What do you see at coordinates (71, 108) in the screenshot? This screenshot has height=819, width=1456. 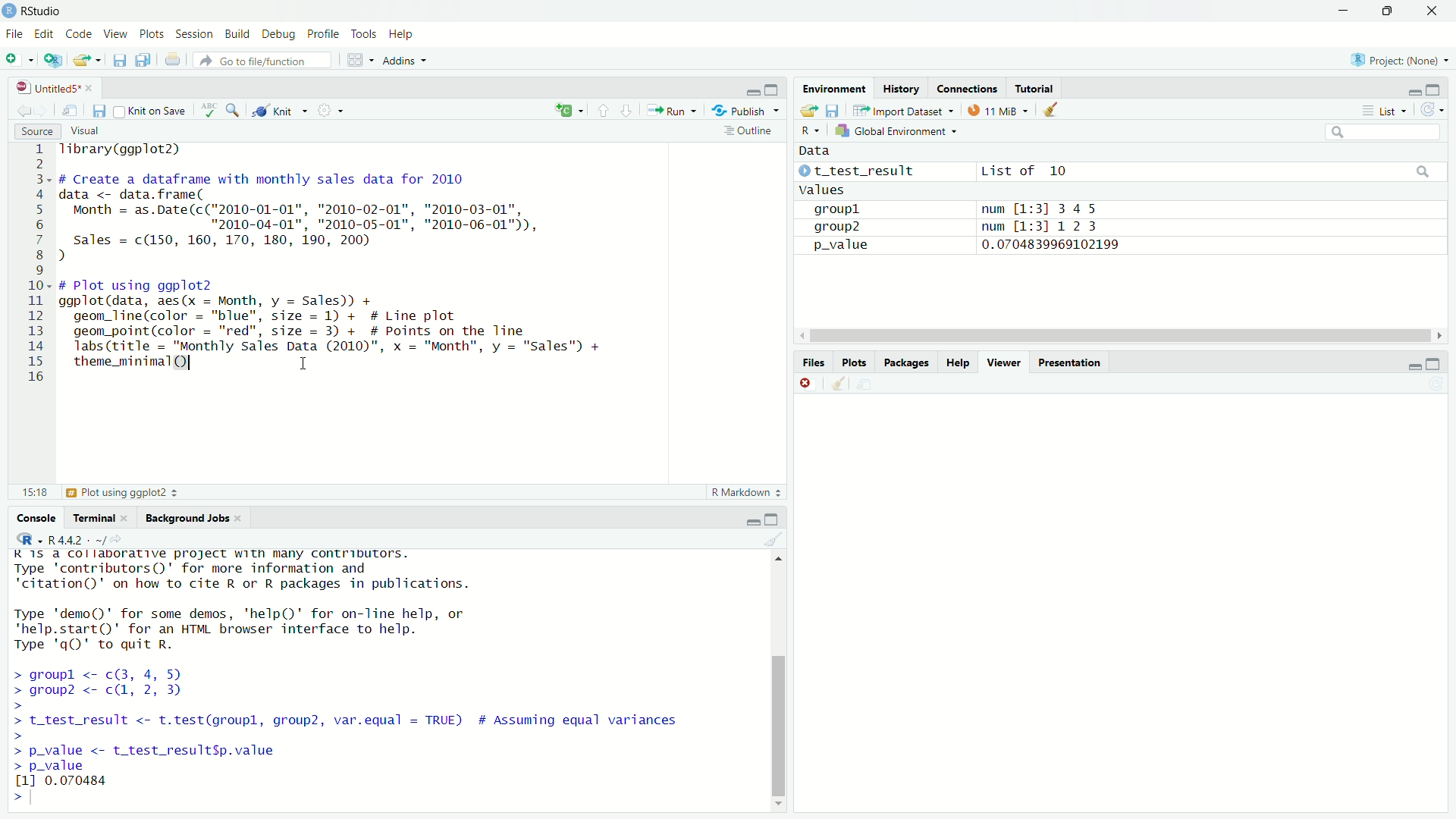 I see `save in new window` at bounding box center [71, 108].